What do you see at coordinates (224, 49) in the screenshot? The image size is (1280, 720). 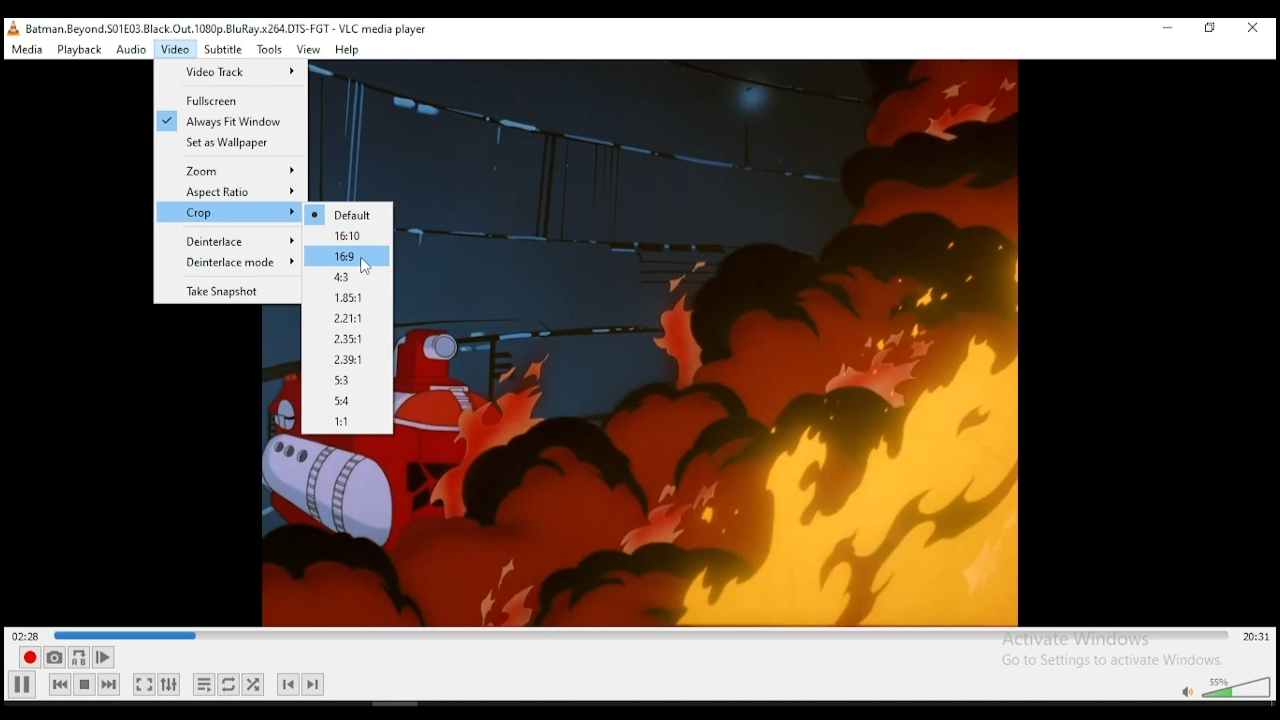 I see `subtitle` at bounding box center [224, 49].